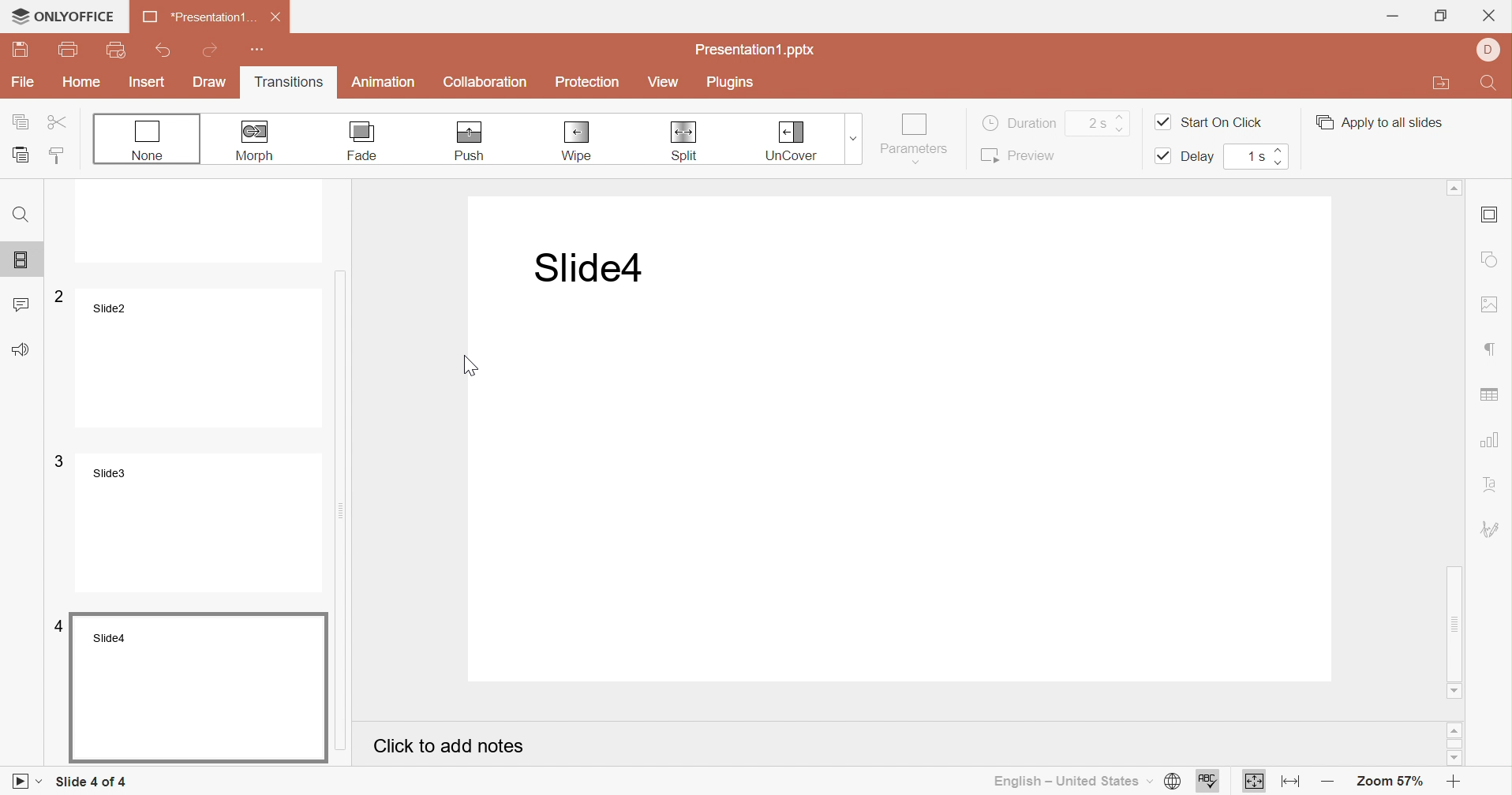 This screenshot has height=795, width=1512. What do you see at coordinates (22, 220) in the screenshot?
I see `Find` at bounding box center [22, 220].